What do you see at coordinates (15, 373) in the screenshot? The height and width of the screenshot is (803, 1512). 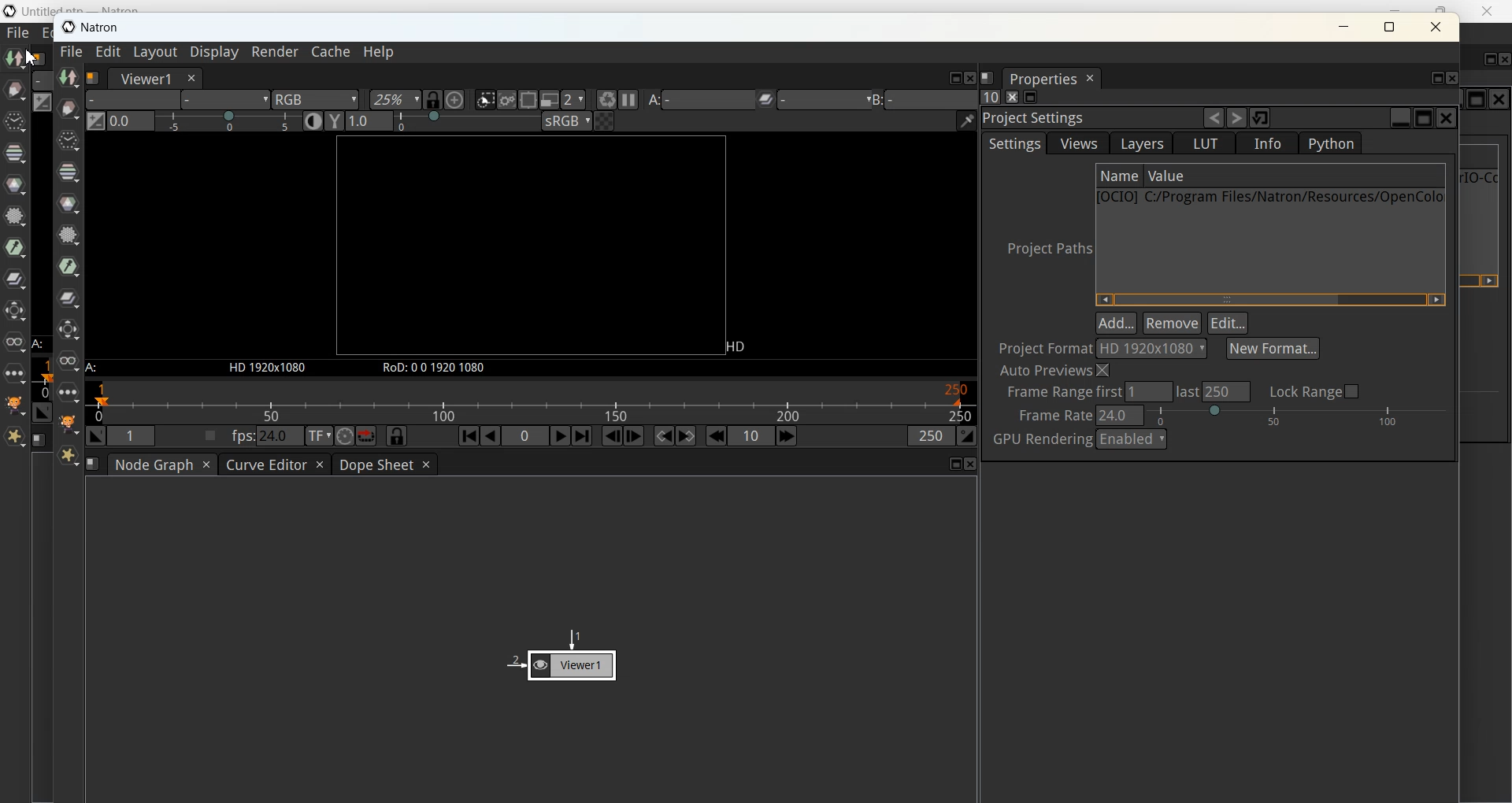 I see `Other` at bounding box center [15, 373].